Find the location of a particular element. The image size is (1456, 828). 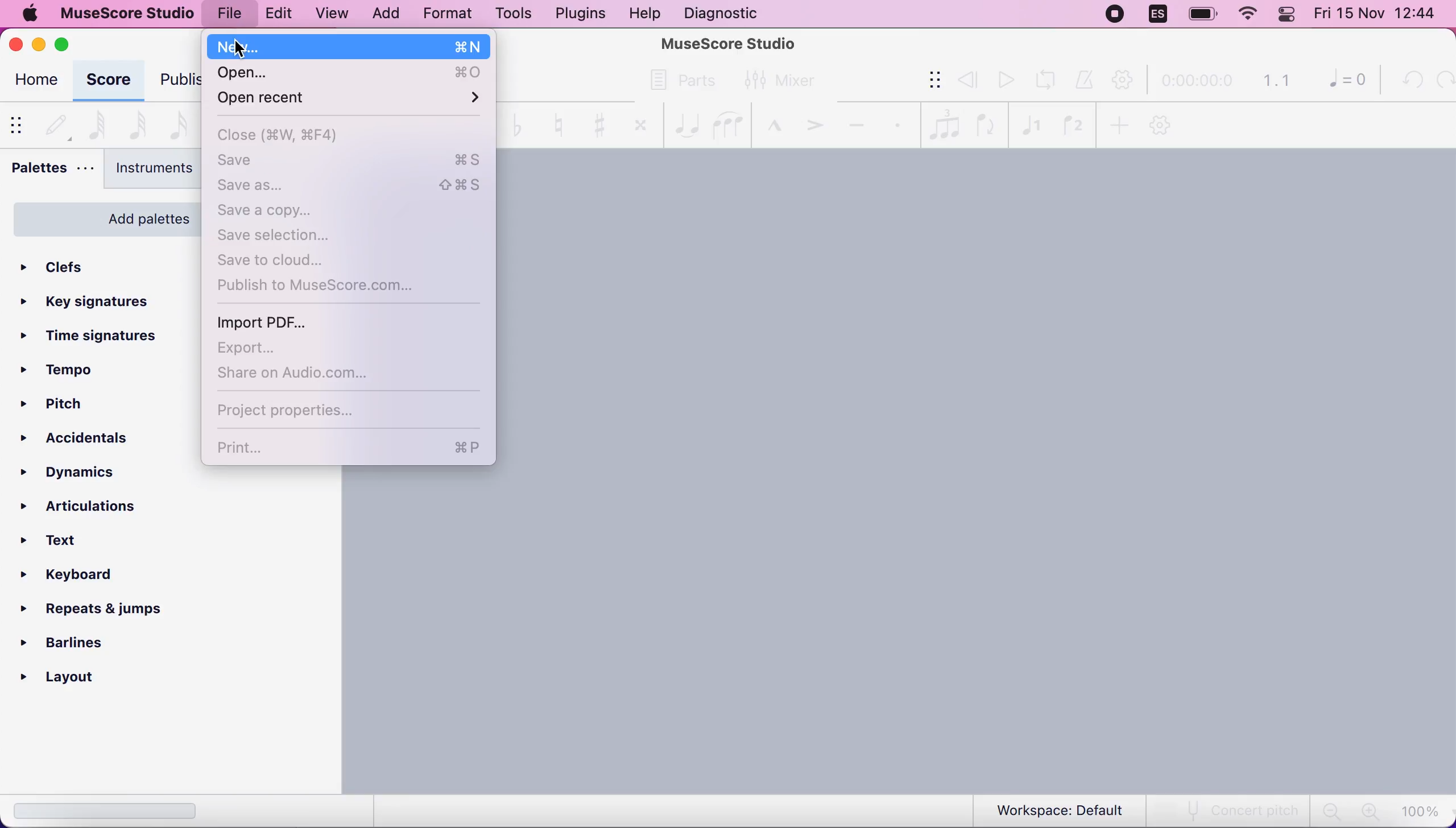

toggle sharp is located at coordinates (595, 124).